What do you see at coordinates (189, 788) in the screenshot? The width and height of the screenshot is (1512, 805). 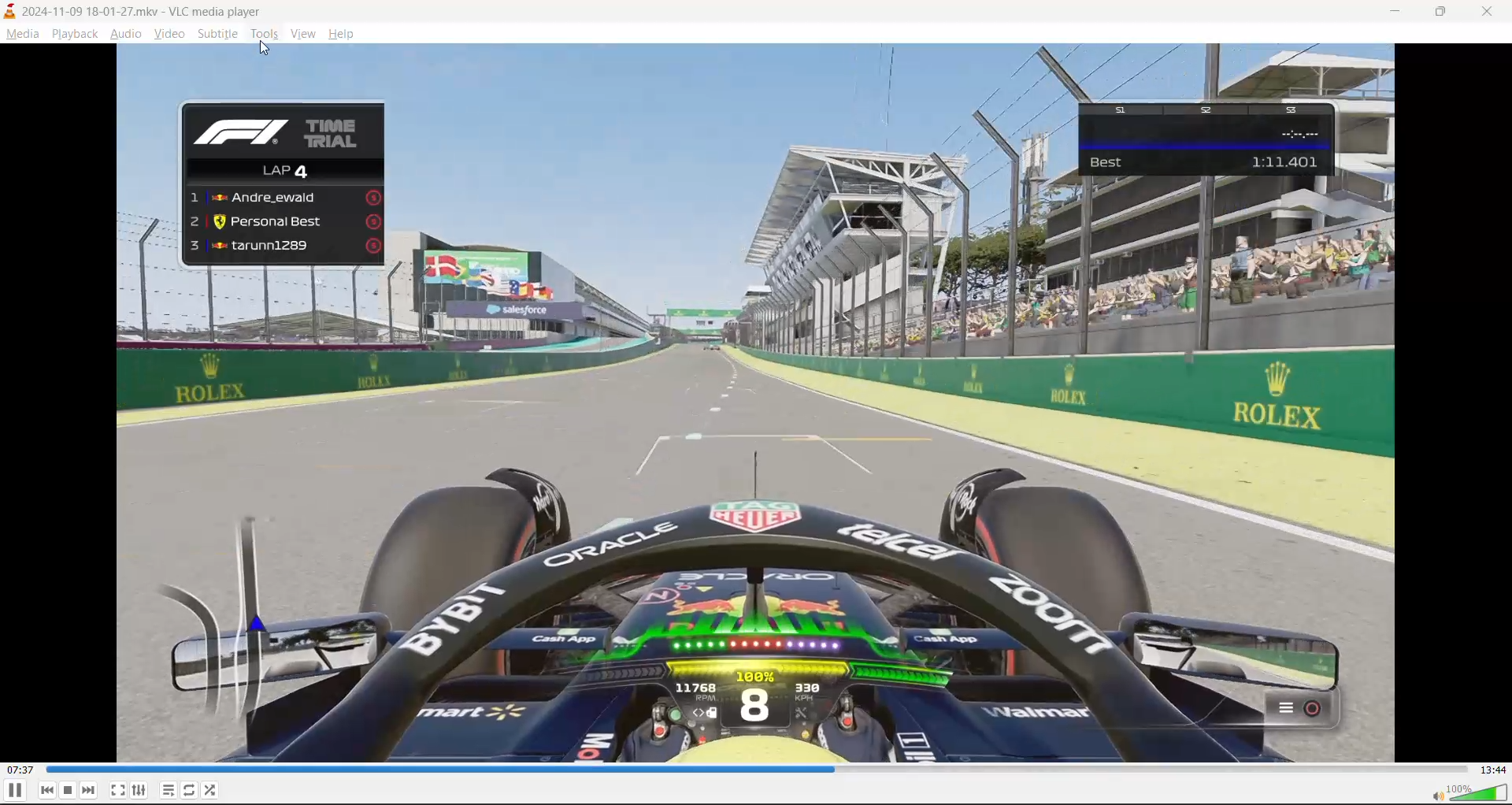 I see `loop` at bounding box center [189, 788].